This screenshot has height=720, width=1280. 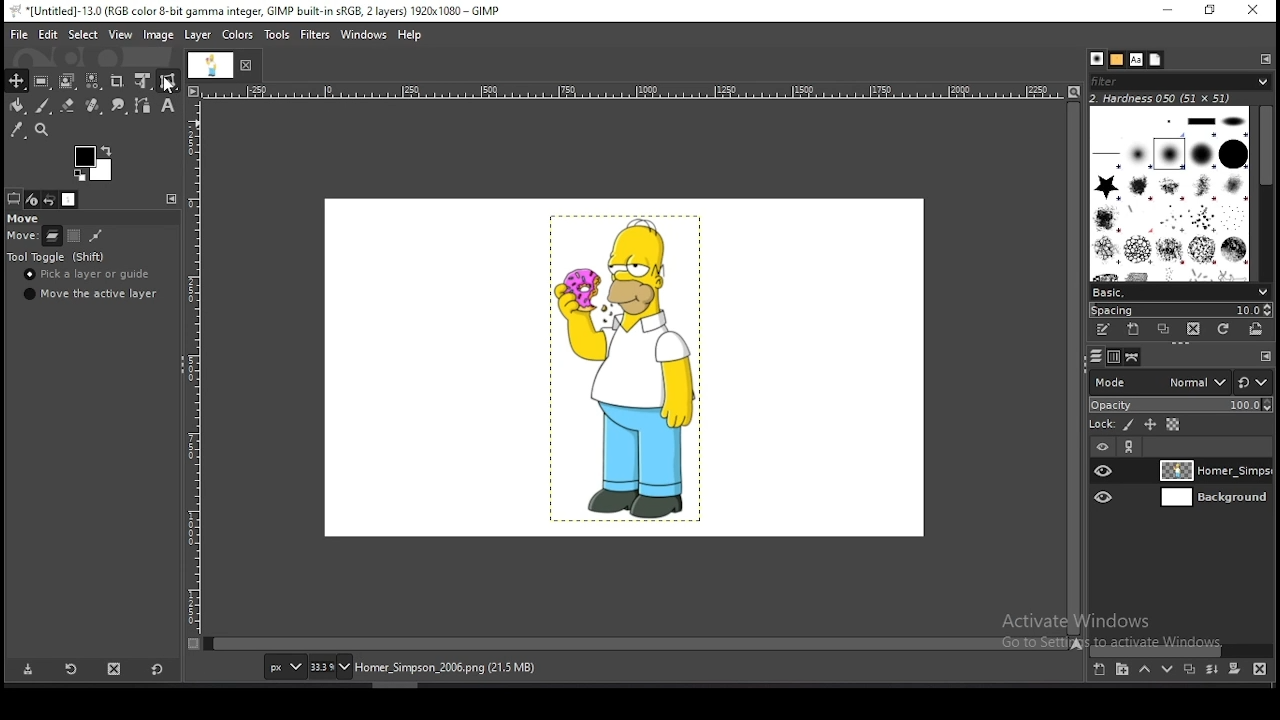 What do you see at coordinates (93, 105) in the screenshot?
I see `healing tool` at bounding box center [93, 105].